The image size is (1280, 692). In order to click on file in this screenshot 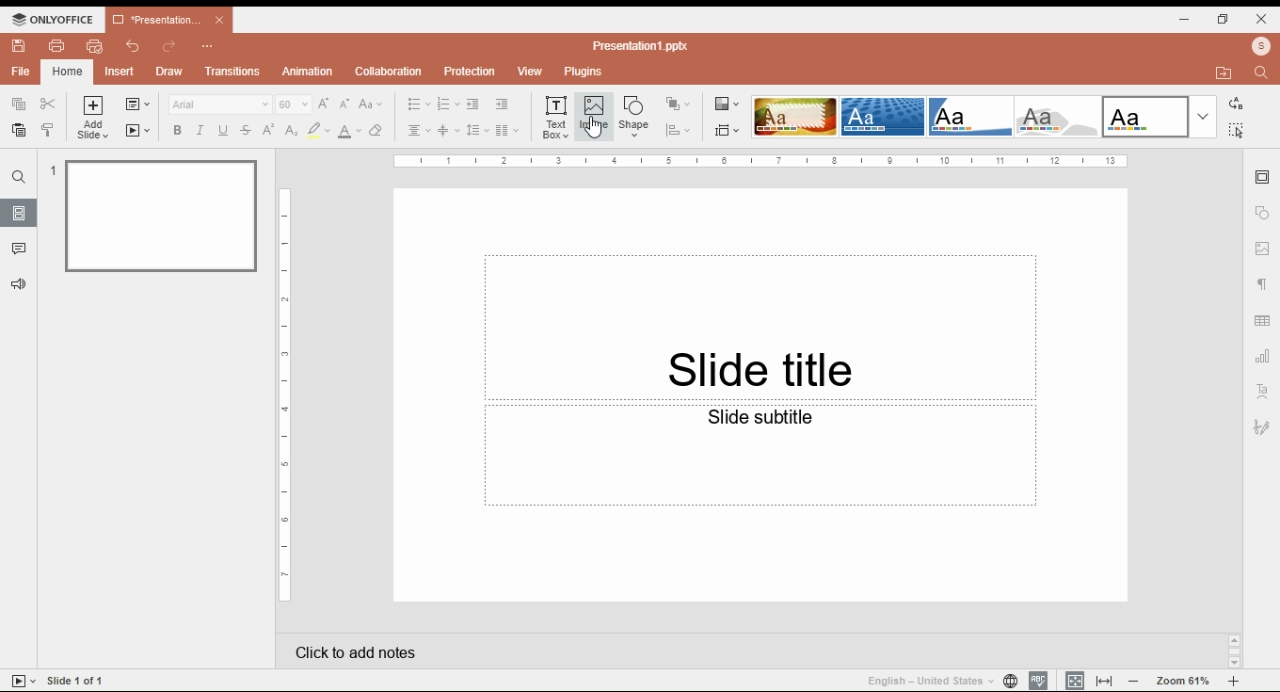, I will do `click(22, 72)`.